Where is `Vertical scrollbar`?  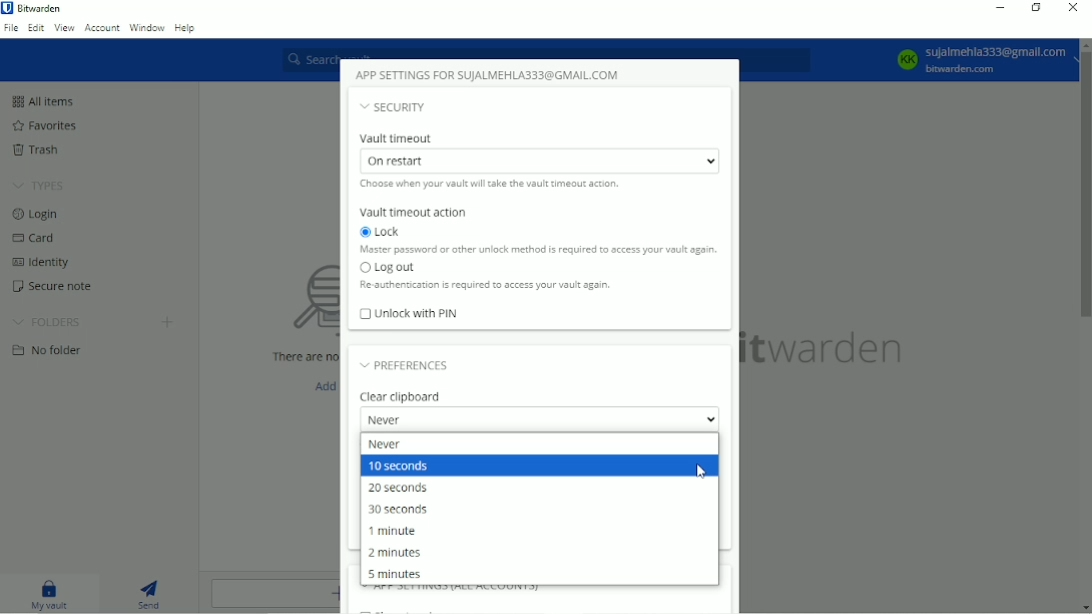 Vertical scrollbar is located at coordinates (1084, 185).